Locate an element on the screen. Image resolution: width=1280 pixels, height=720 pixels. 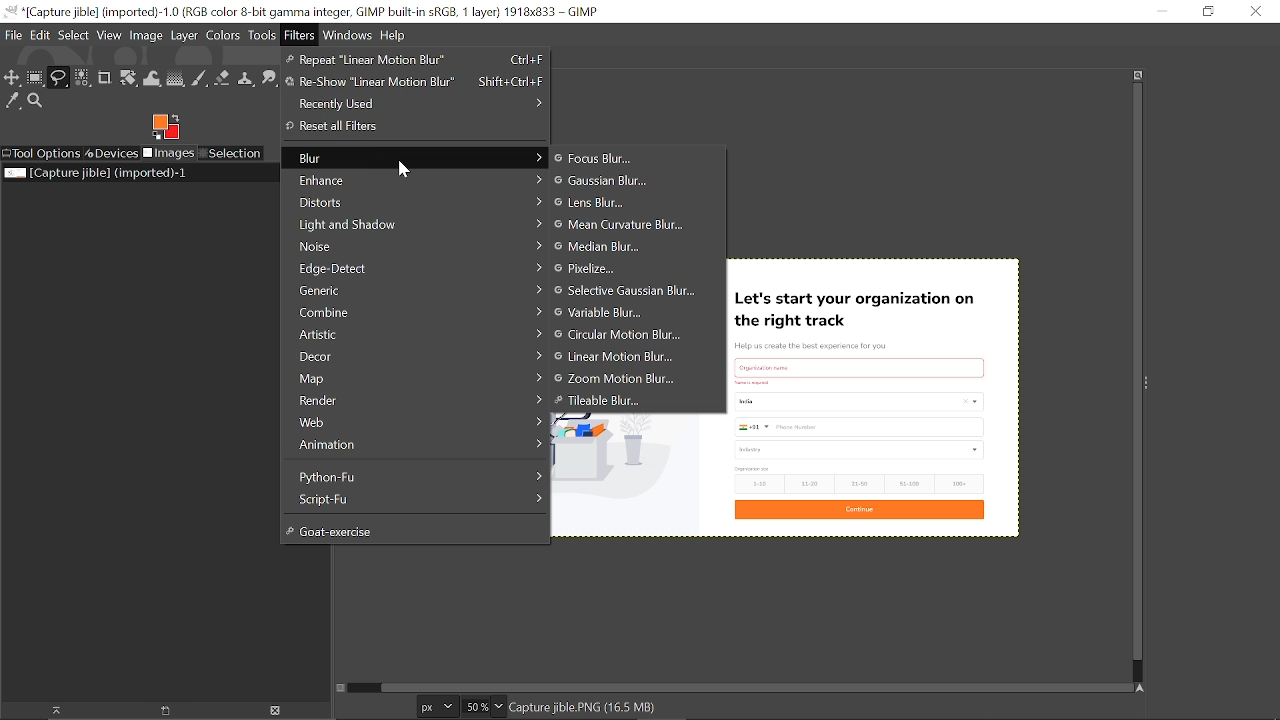
Windows is located at coordinates (349, 37).